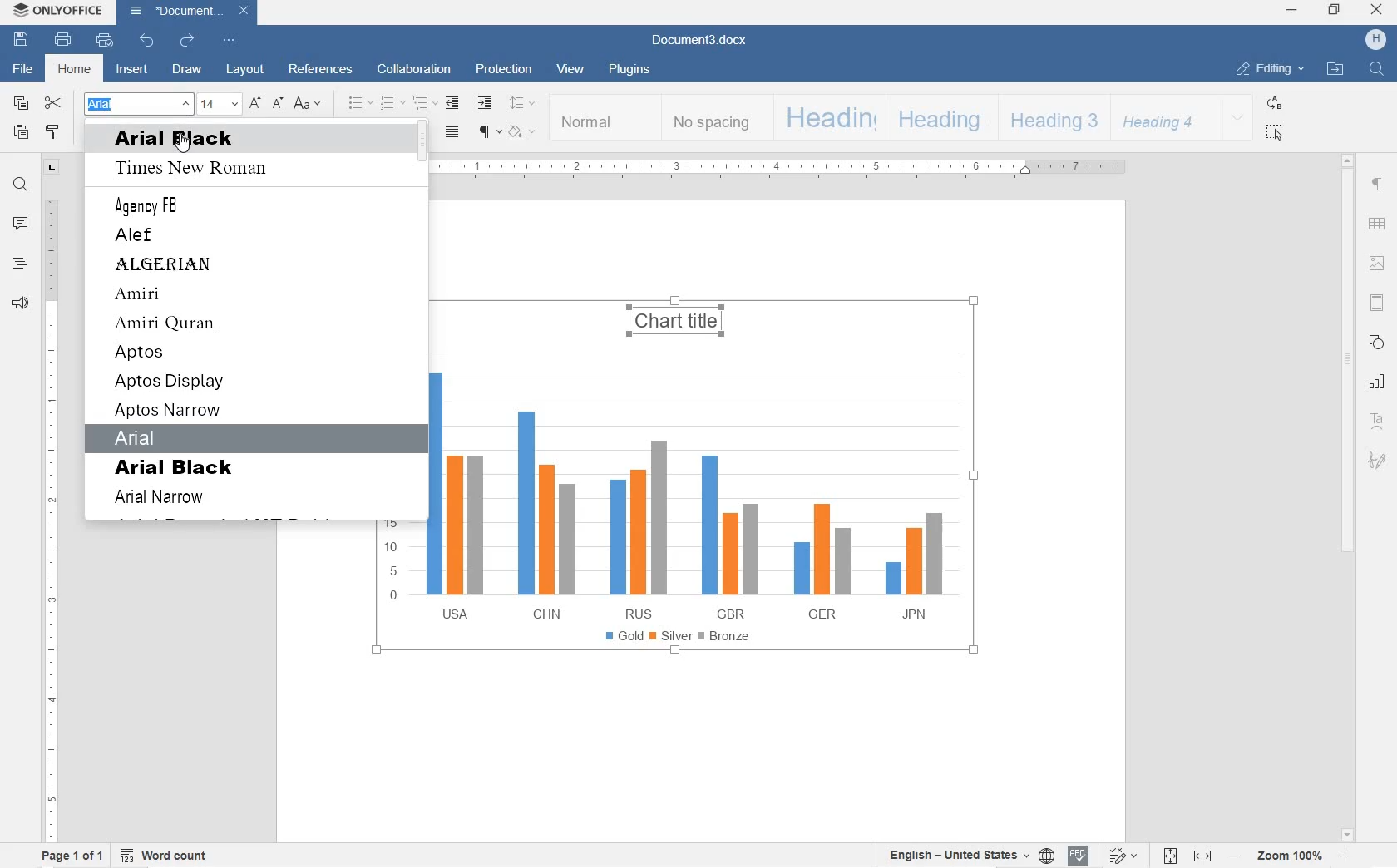 The height and width of the screenshot is (868, 1397). I want to click on EDITING, so click(1268, 70).